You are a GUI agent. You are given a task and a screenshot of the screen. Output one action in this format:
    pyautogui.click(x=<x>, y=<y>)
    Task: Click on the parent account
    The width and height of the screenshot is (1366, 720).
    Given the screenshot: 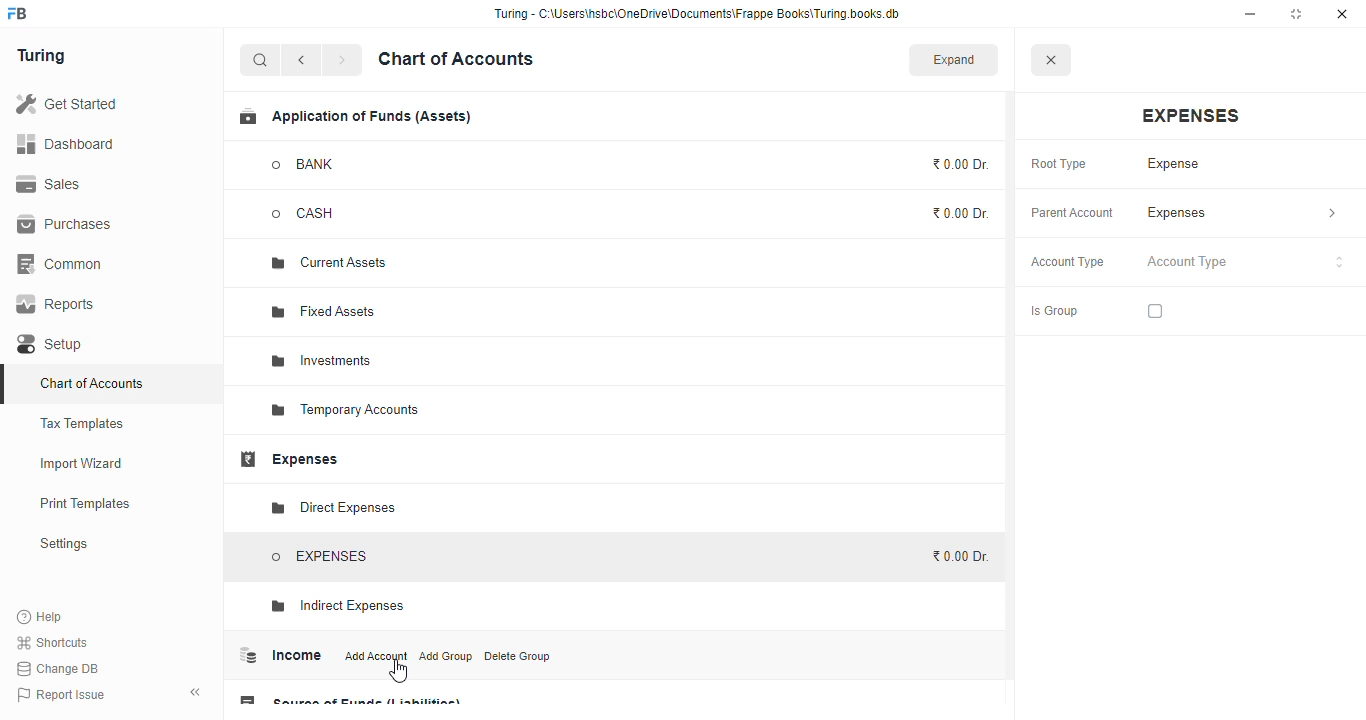 What is the action you would take?
    pyautogui.click(x=1073, y=214)
    